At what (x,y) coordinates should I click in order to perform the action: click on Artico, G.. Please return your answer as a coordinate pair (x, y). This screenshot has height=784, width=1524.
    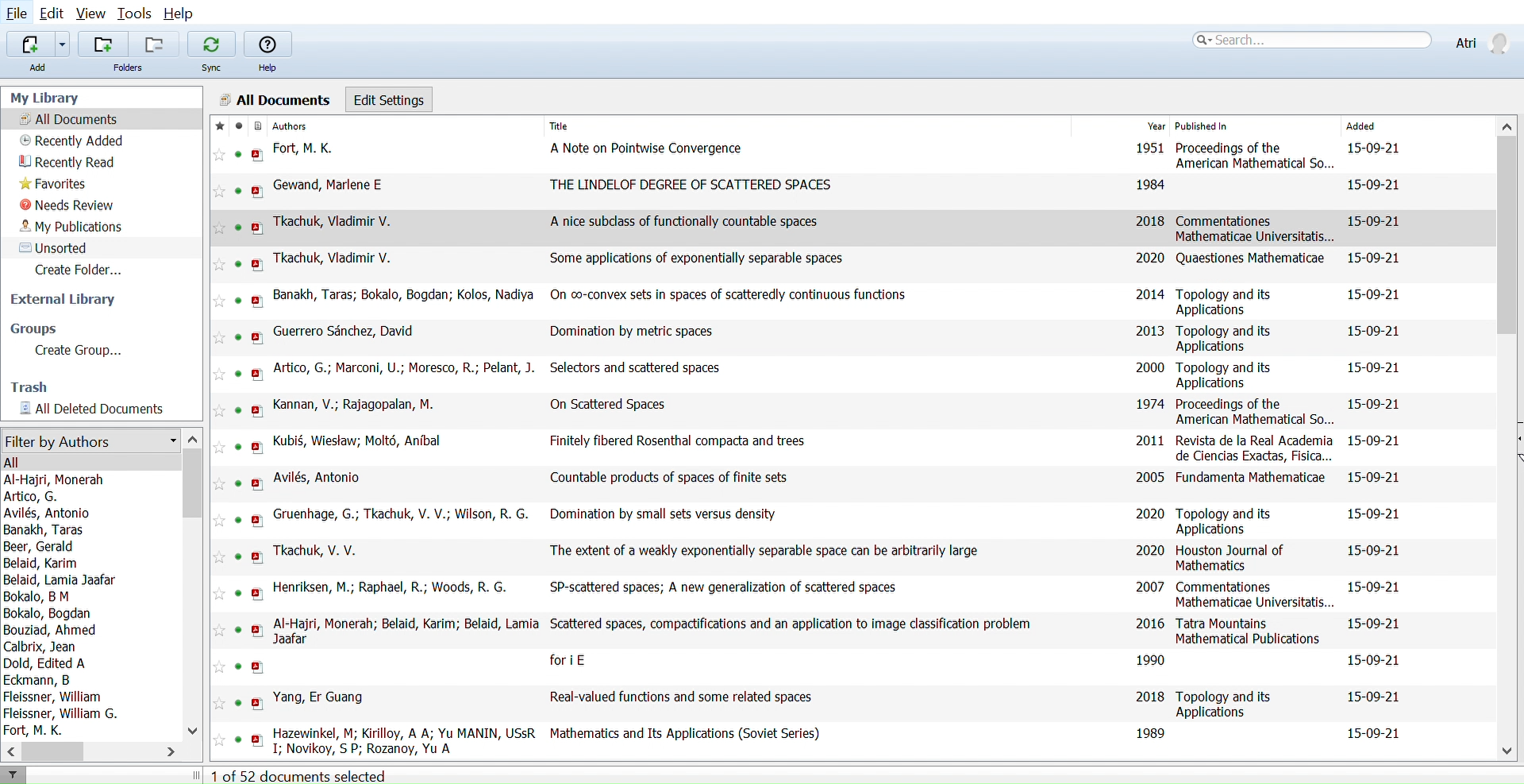
    Looking at the image, I should click on (33, 497).